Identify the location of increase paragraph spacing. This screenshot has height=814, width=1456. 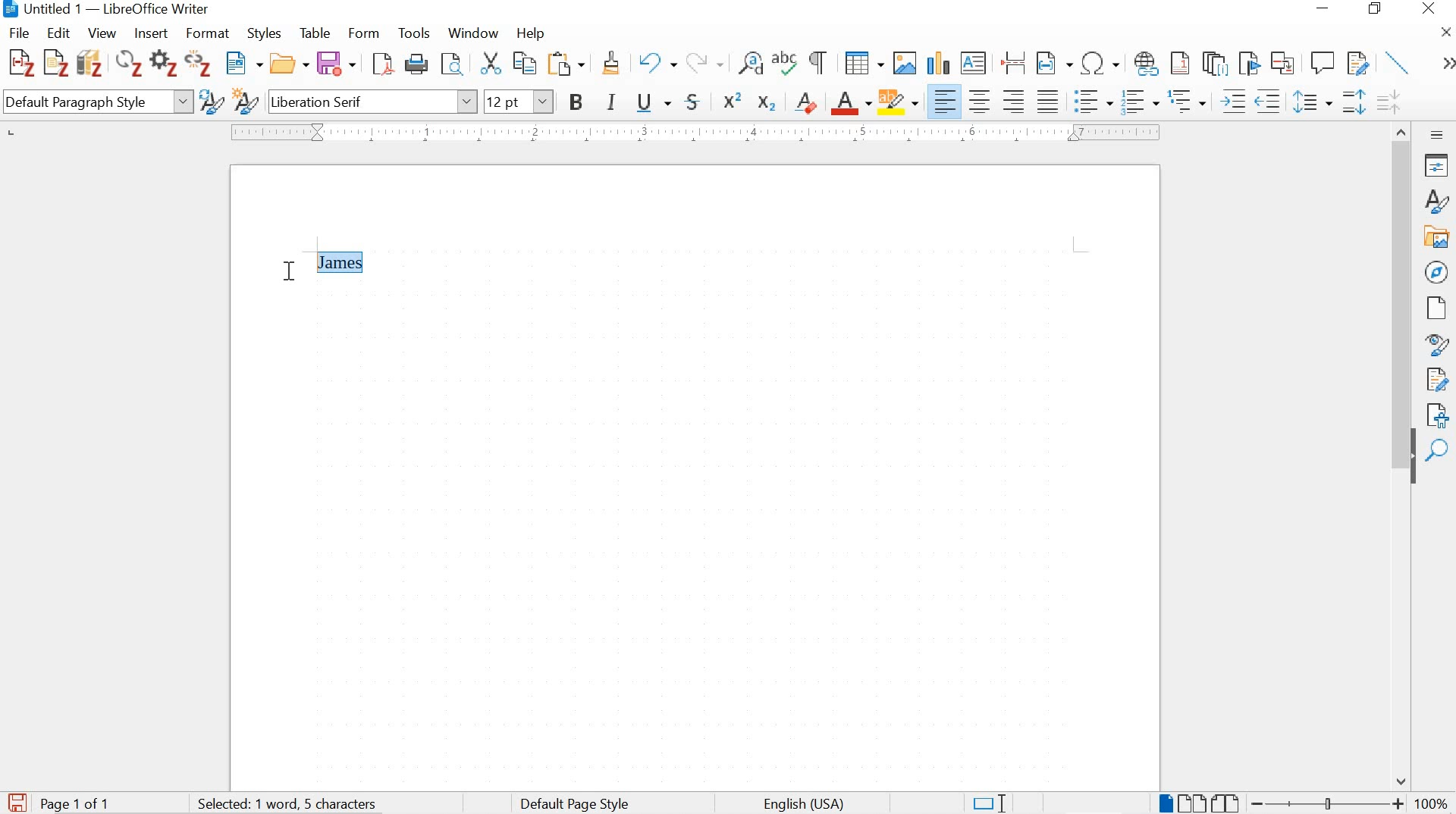
(1353, 104).